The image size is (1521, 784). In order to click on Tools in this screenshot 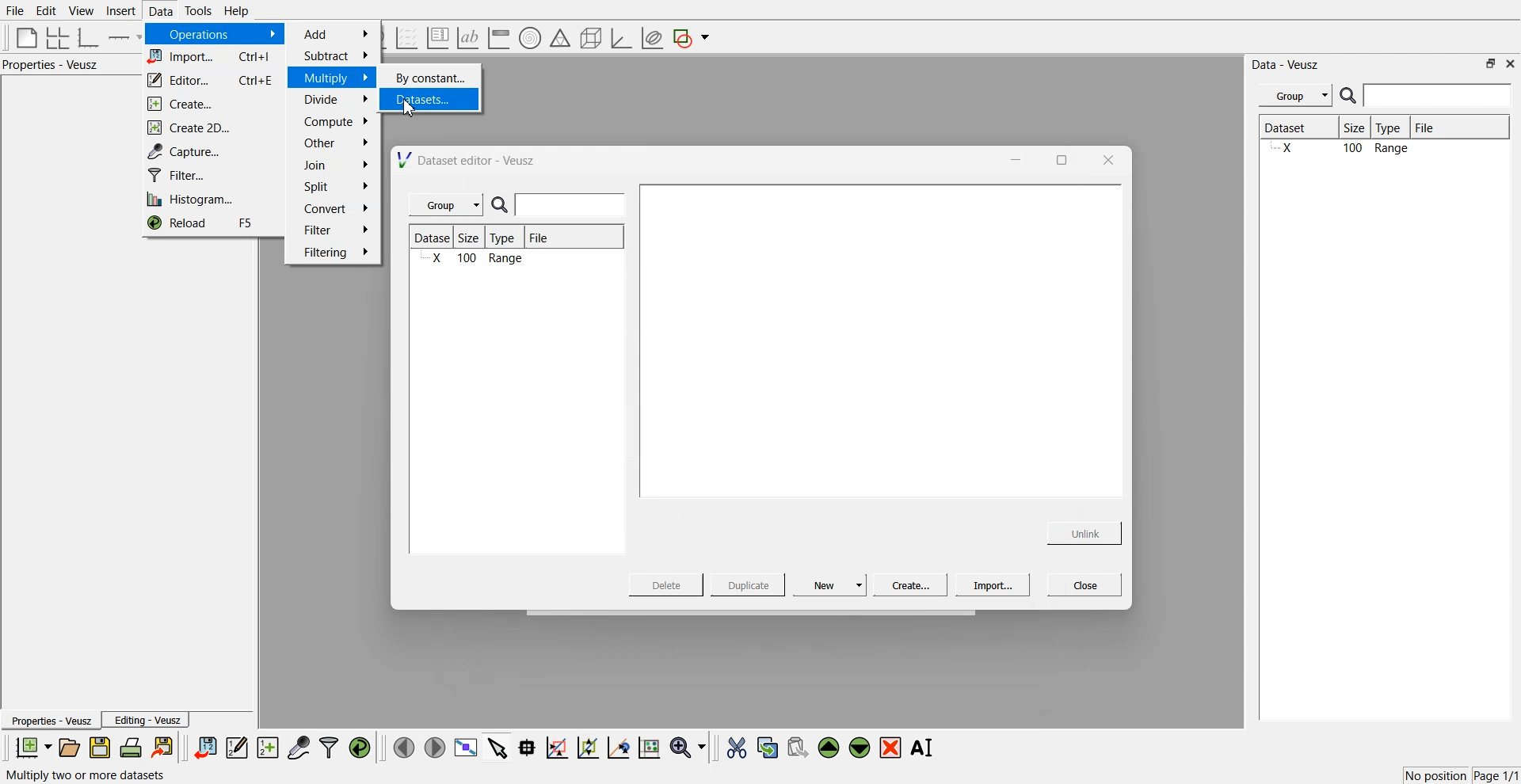, I will do `click(196, 10)`.